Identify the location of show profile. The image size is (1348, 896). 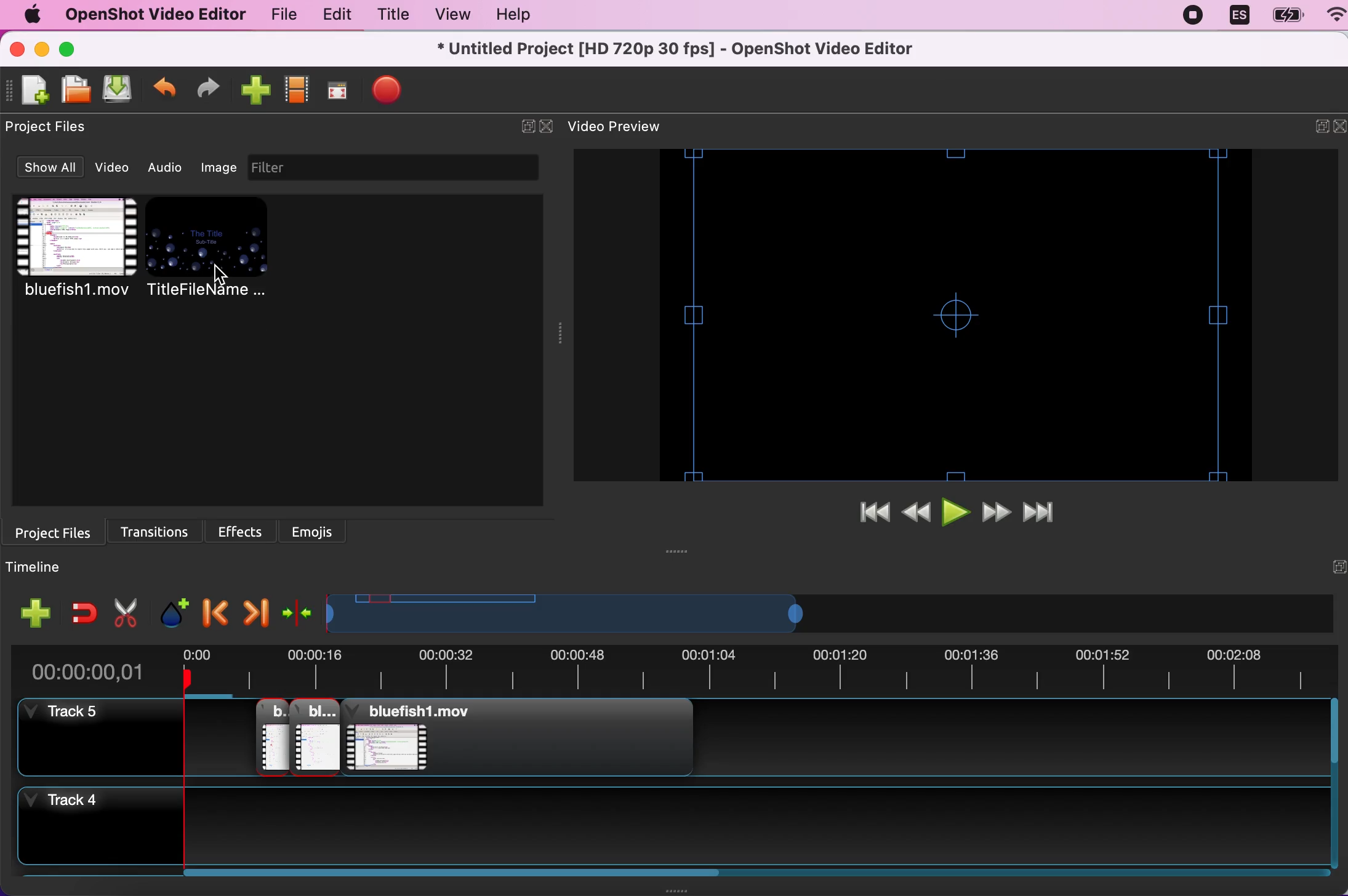
(295, 94).